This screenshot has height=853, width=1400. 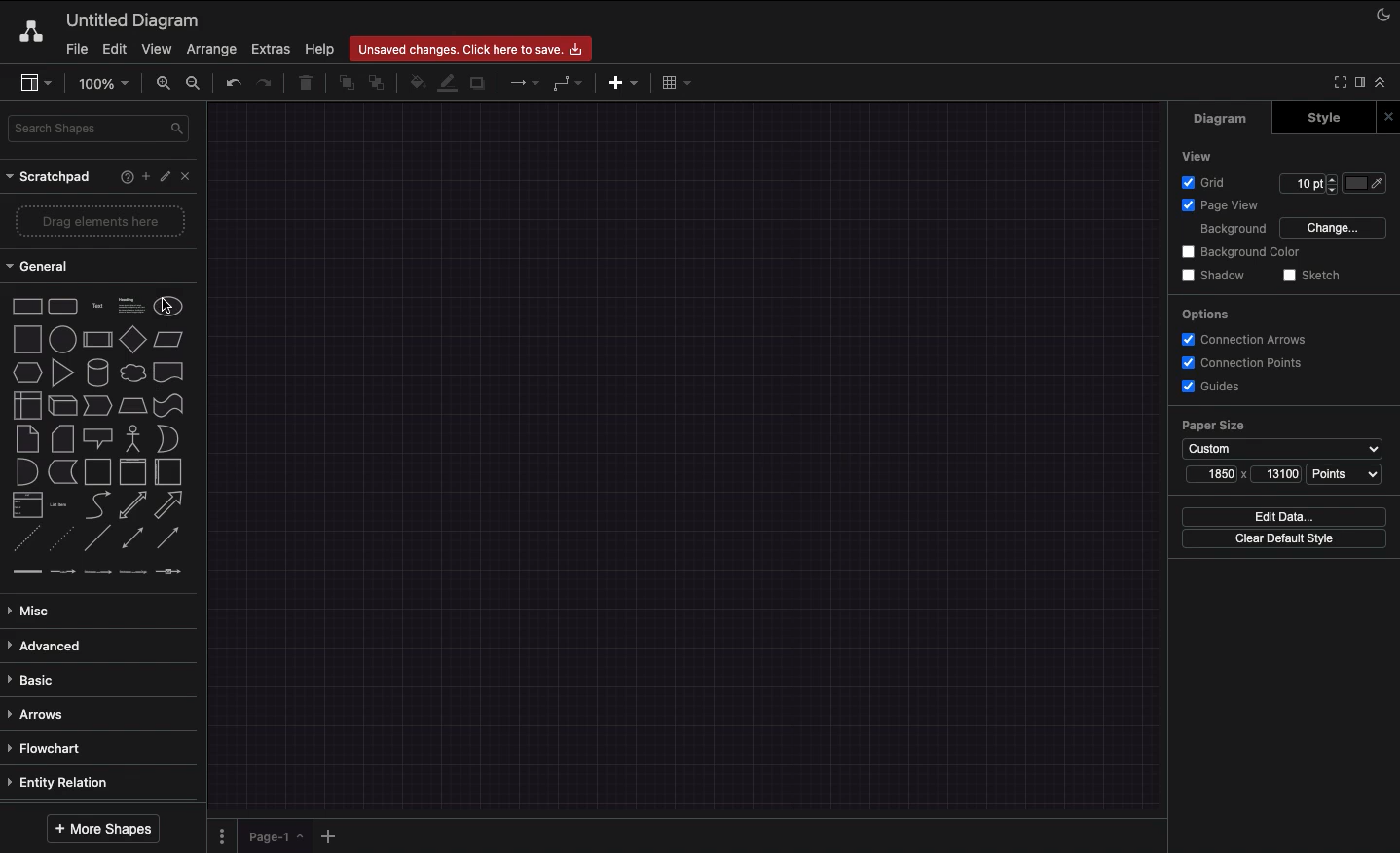 I want to click on connector 2, so click(x=62, y=572).